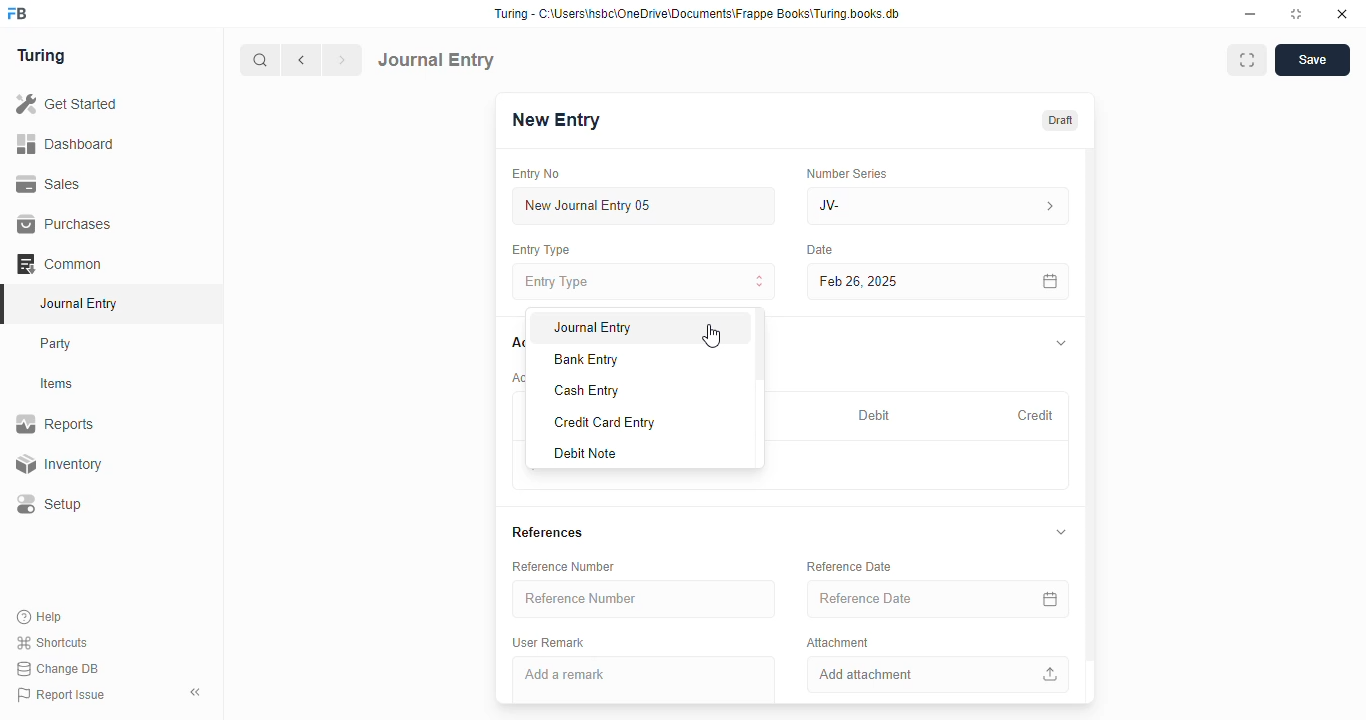  Describe the element at coordinates (1037, 415) in the screenshot. I see `credit` at that location.